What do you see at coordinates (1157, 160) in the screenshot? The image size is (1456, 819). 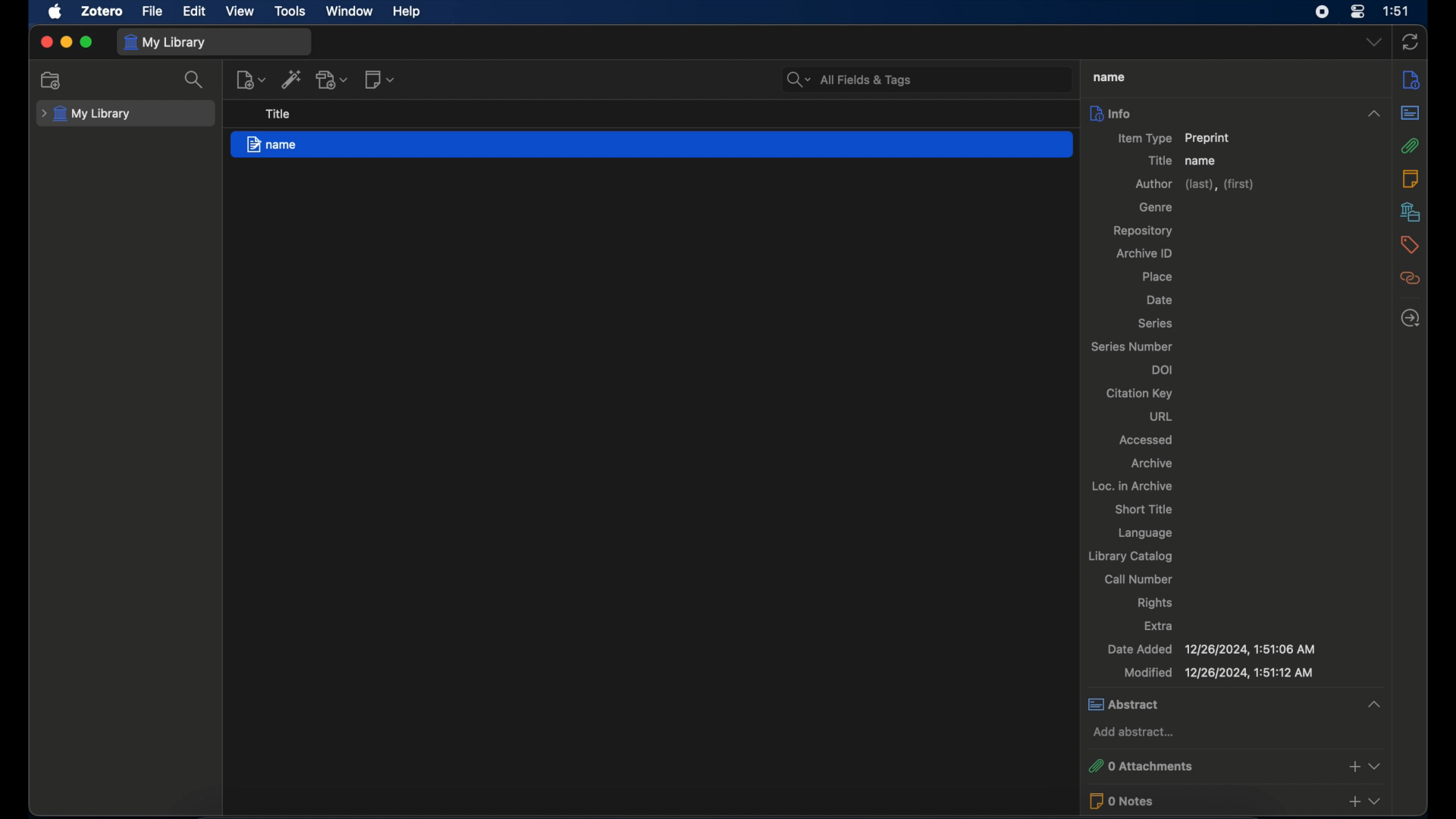 I see `title` at bounding box center [1157, 160].